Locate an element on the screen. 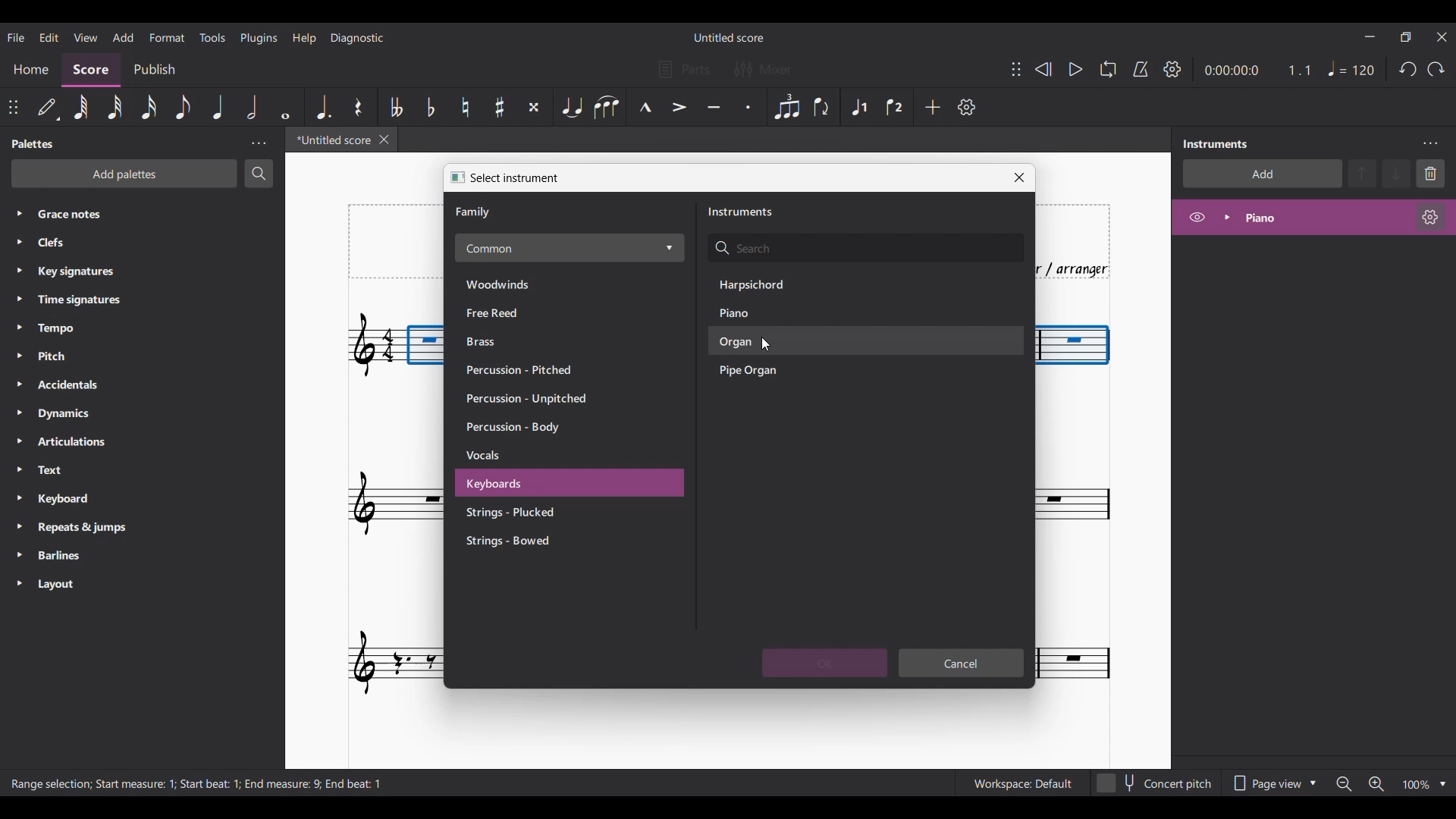 The image size is (1456, 819). Highlighted due to current selection is located at coordinates (860, 107).